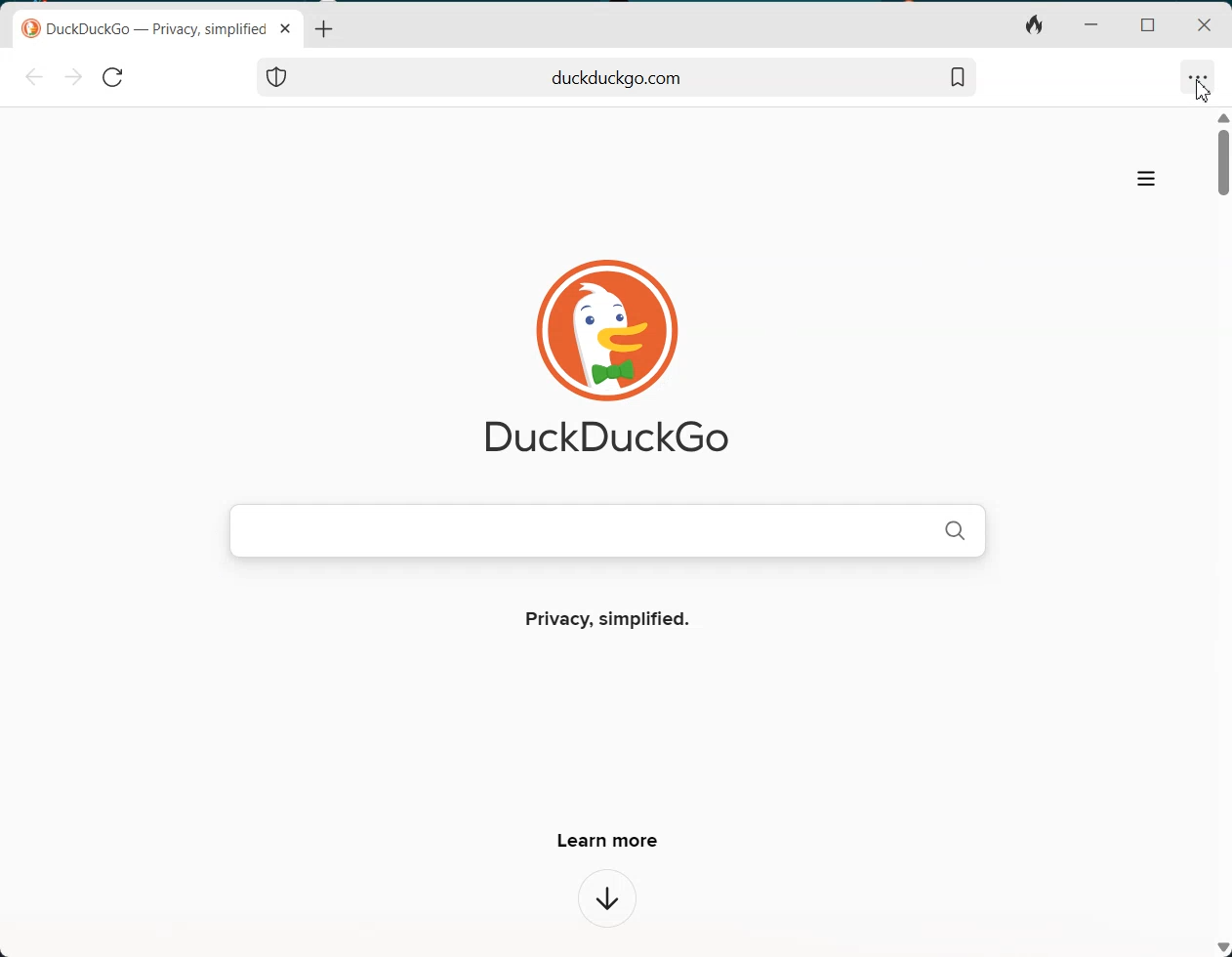  What do you see at coordinates (286, 28) in the screenshot?
I see `Close tab` at bounding box center [286, 28].